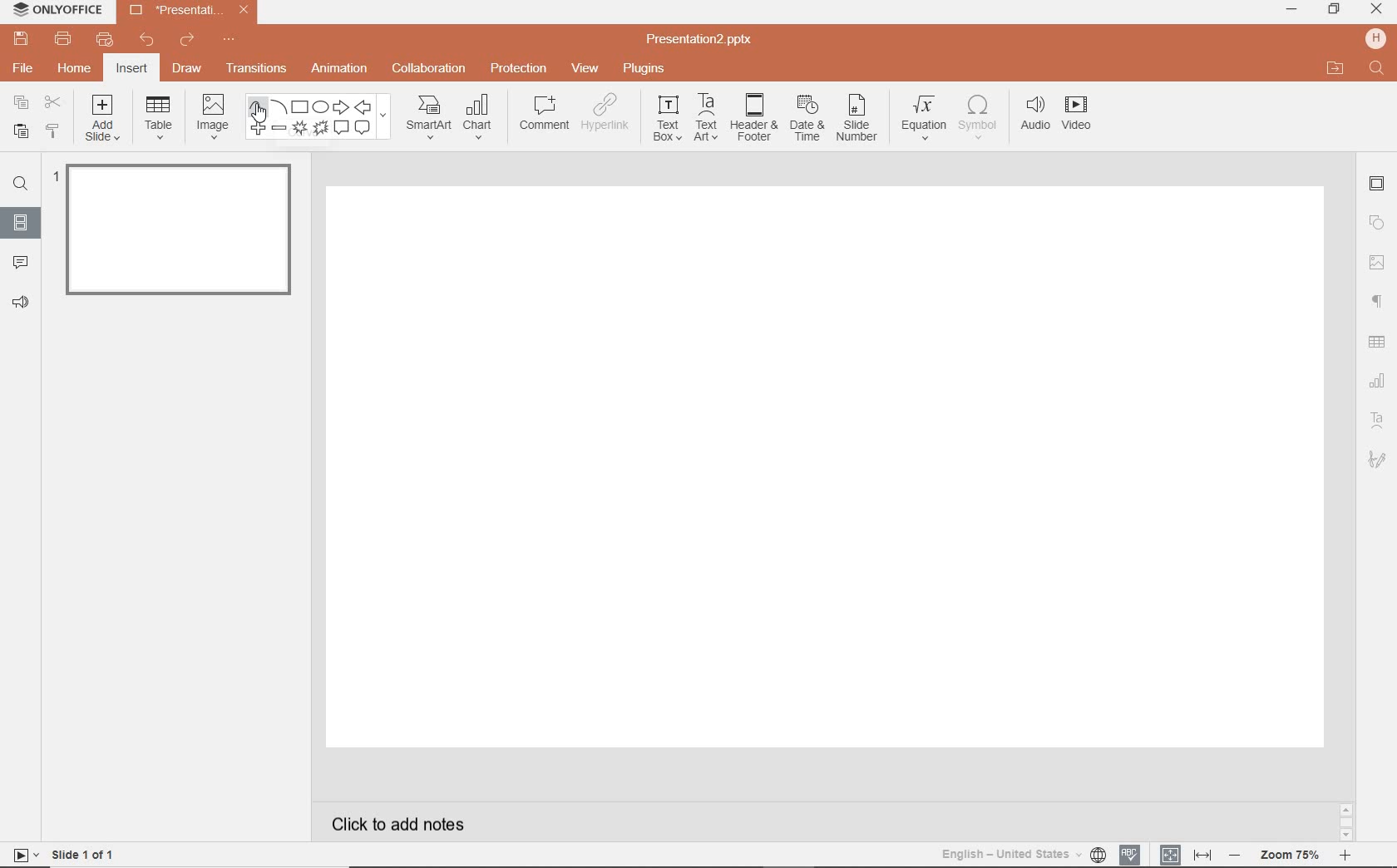 The width and height of the screenshot is (1397, 868). Describe the element at coordinates (104, 121) in the screenshot. I see `ADD SLIDE` at that location.